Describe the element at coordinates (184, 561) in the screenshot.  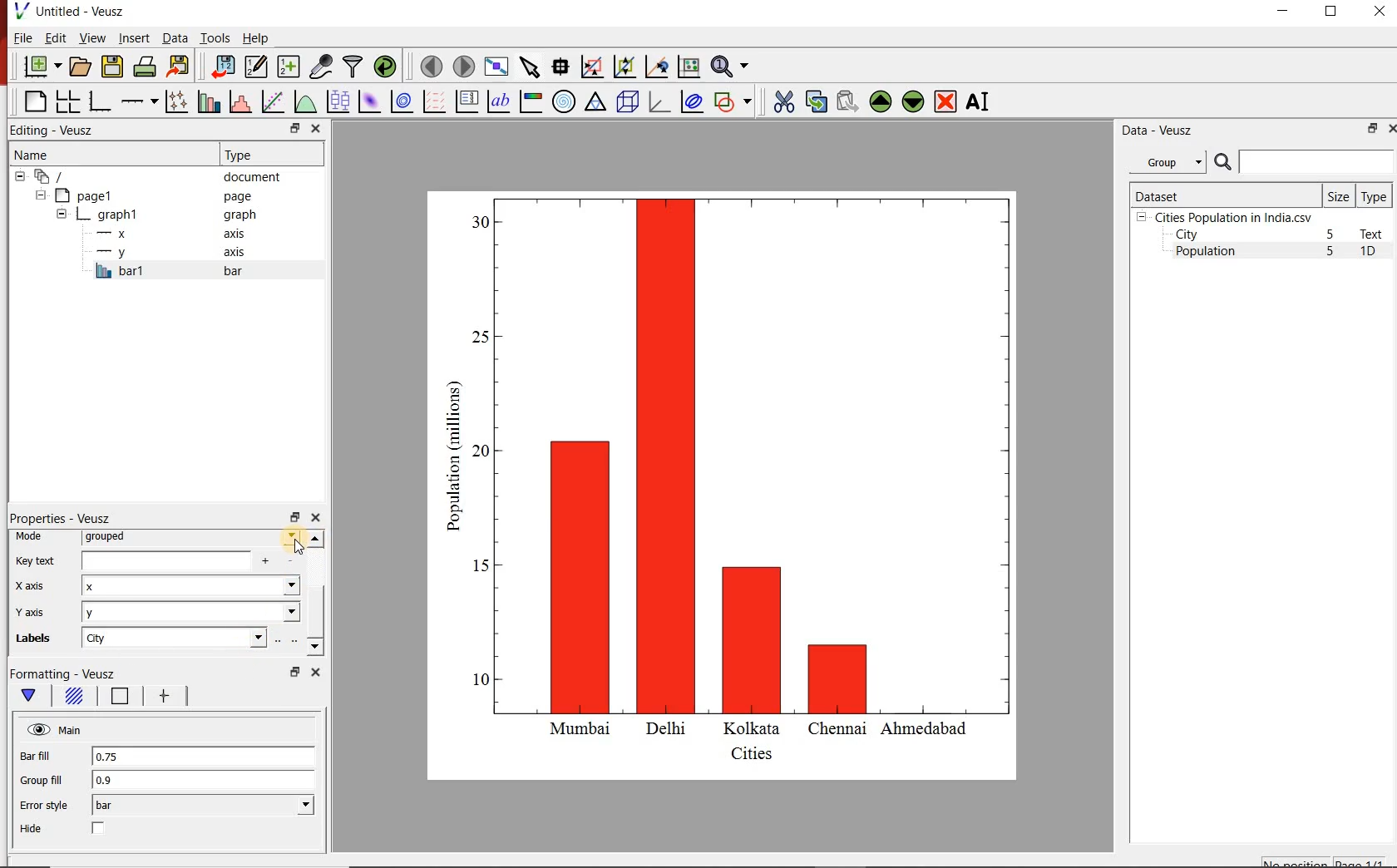
I see `input field` at that location.